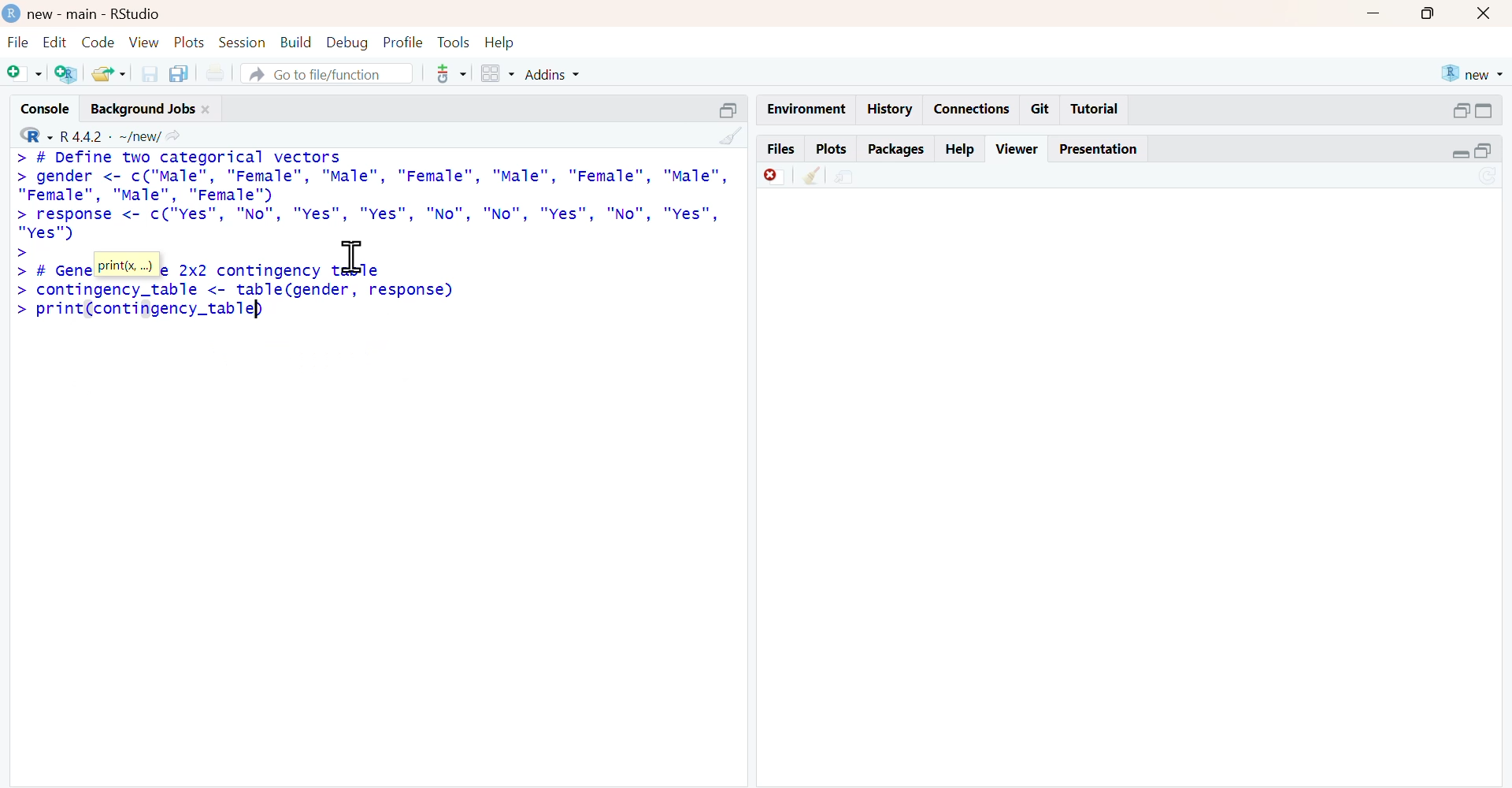 This screenshot has width=1512, height=788. I want to click on minimise, so click(1373, 13).